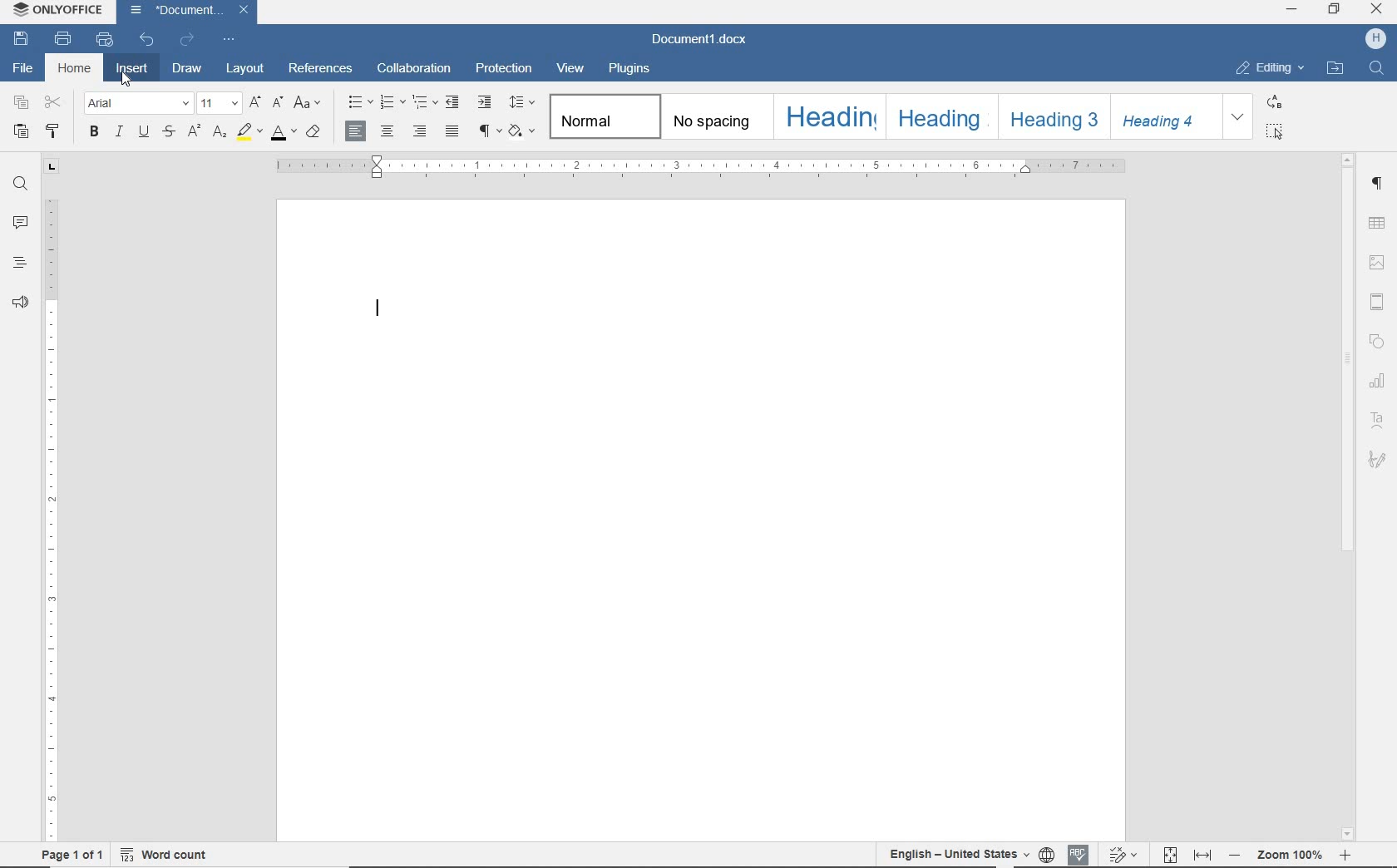 The height and width of the screenshot is (868, 1397). What do you see at coordinates (356, 131) in the screenshot?
I see `align left` at bounding box center [356, 131].